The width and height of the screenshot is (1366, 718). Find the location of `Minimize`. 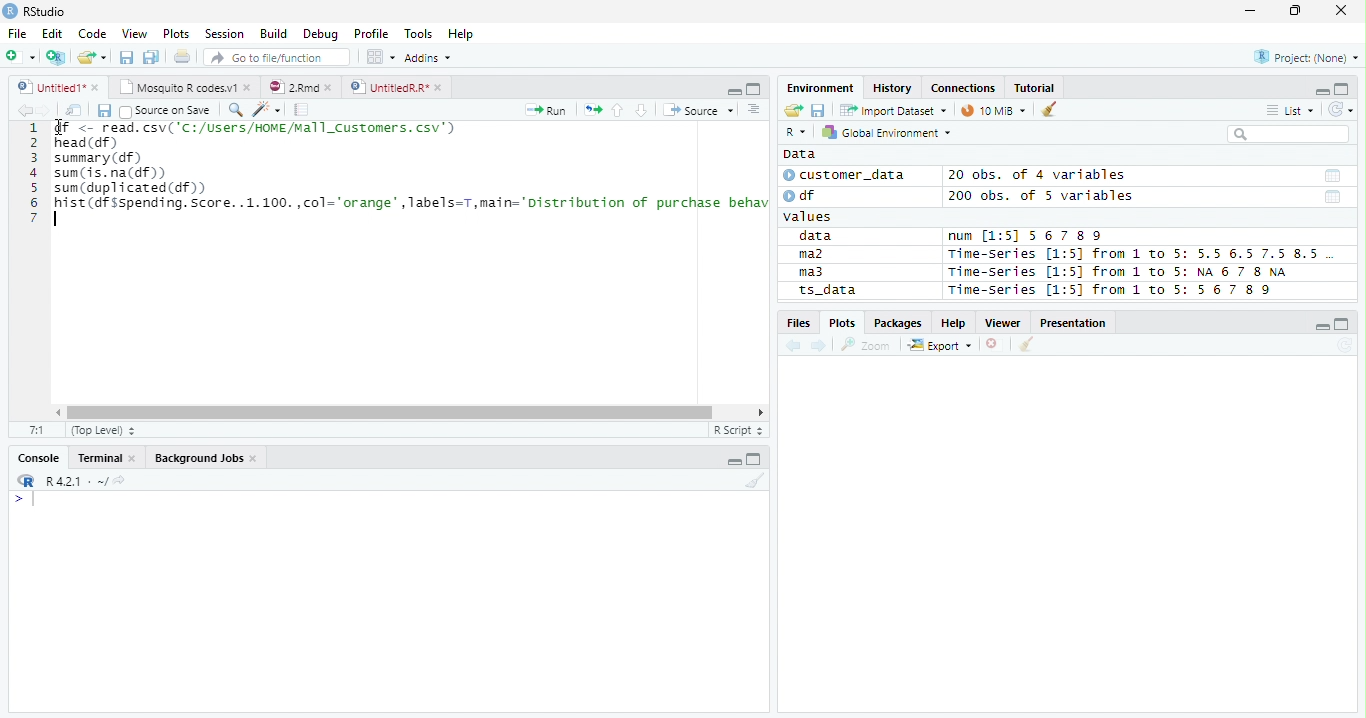

Minimize is located at coordinates (732, 90).